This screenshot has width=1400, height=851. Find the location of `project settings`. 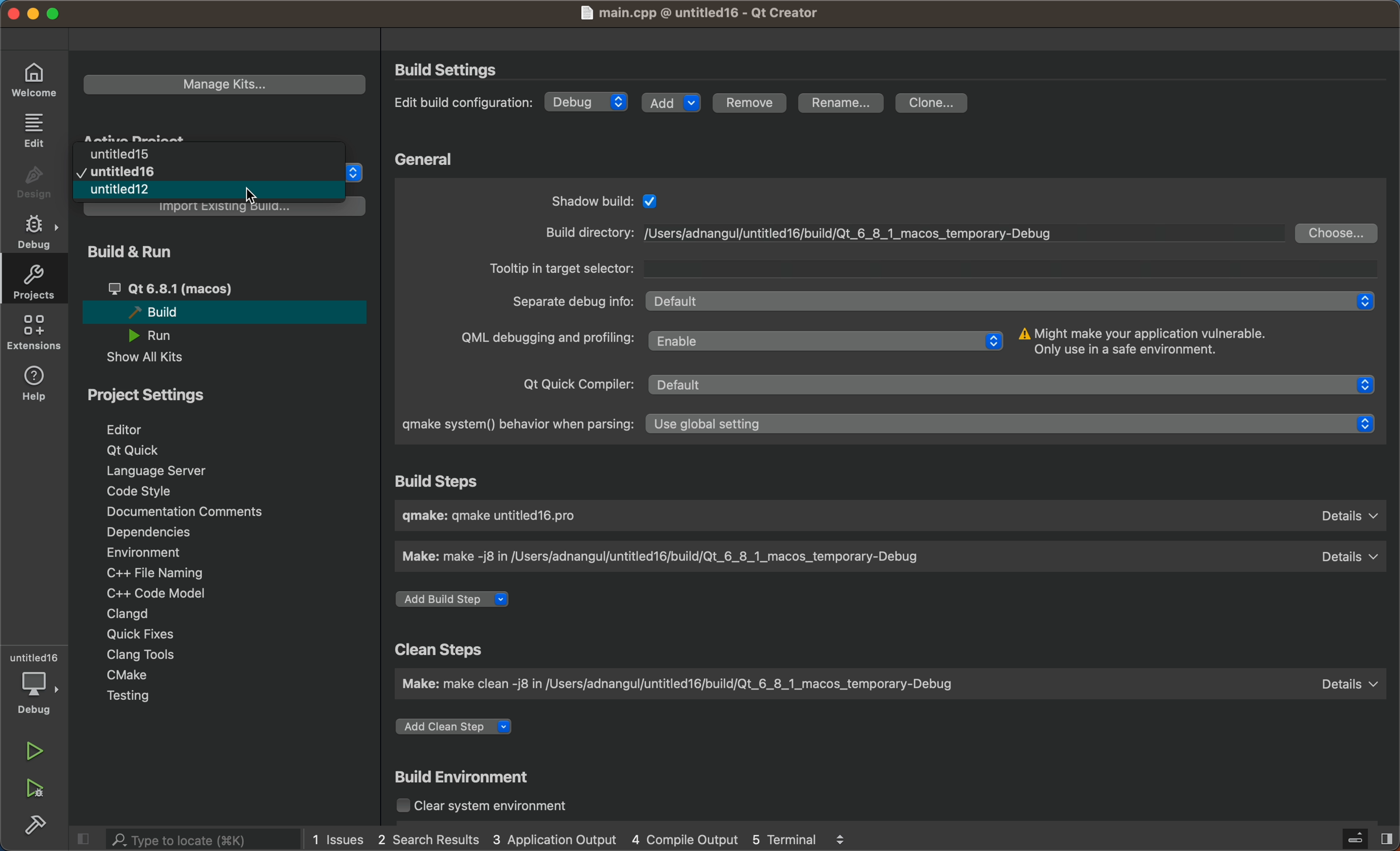

project settings is located at coordinates (227, 547).